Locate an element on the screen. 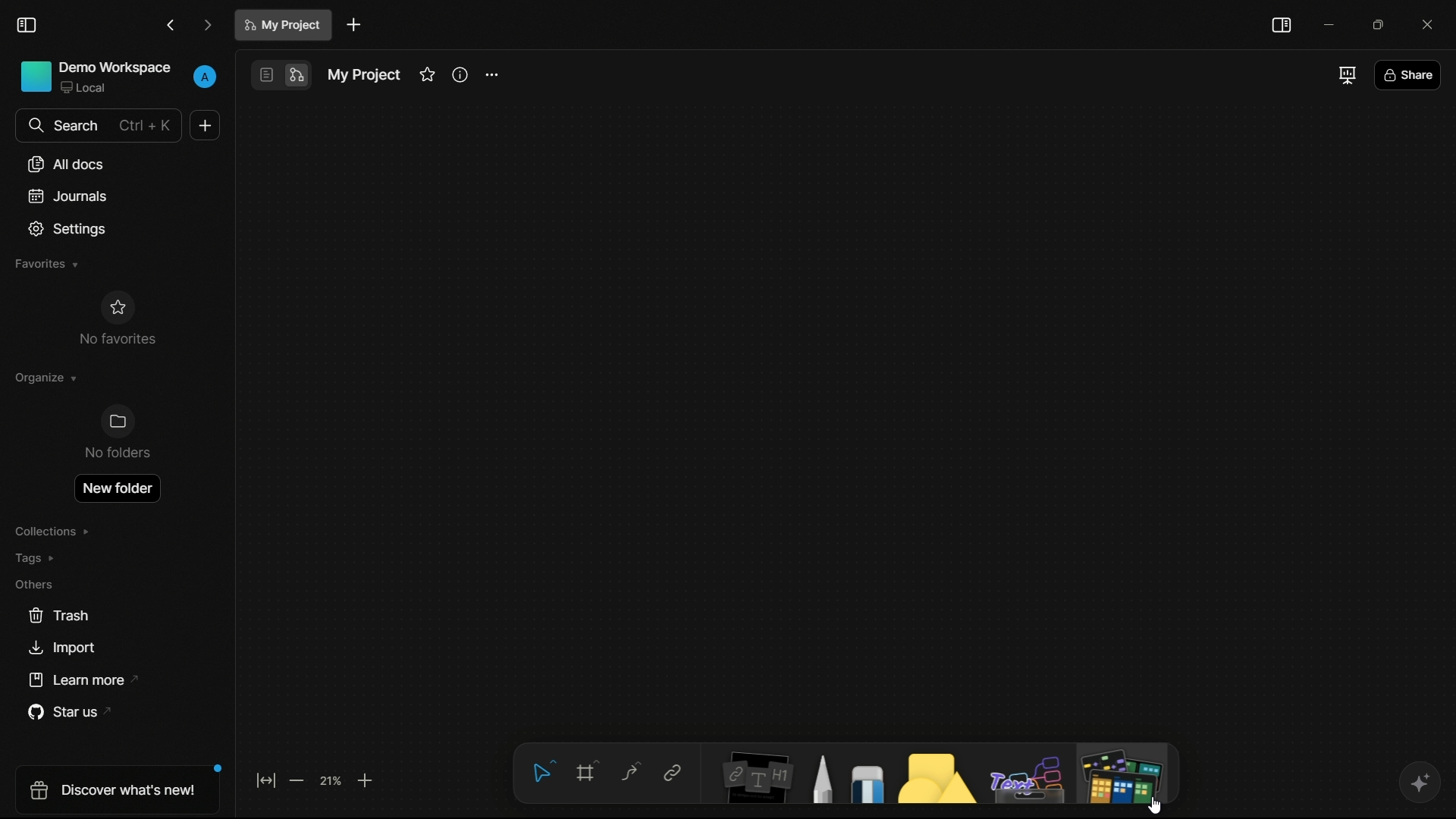  share is located at coordinates (1407, 74).